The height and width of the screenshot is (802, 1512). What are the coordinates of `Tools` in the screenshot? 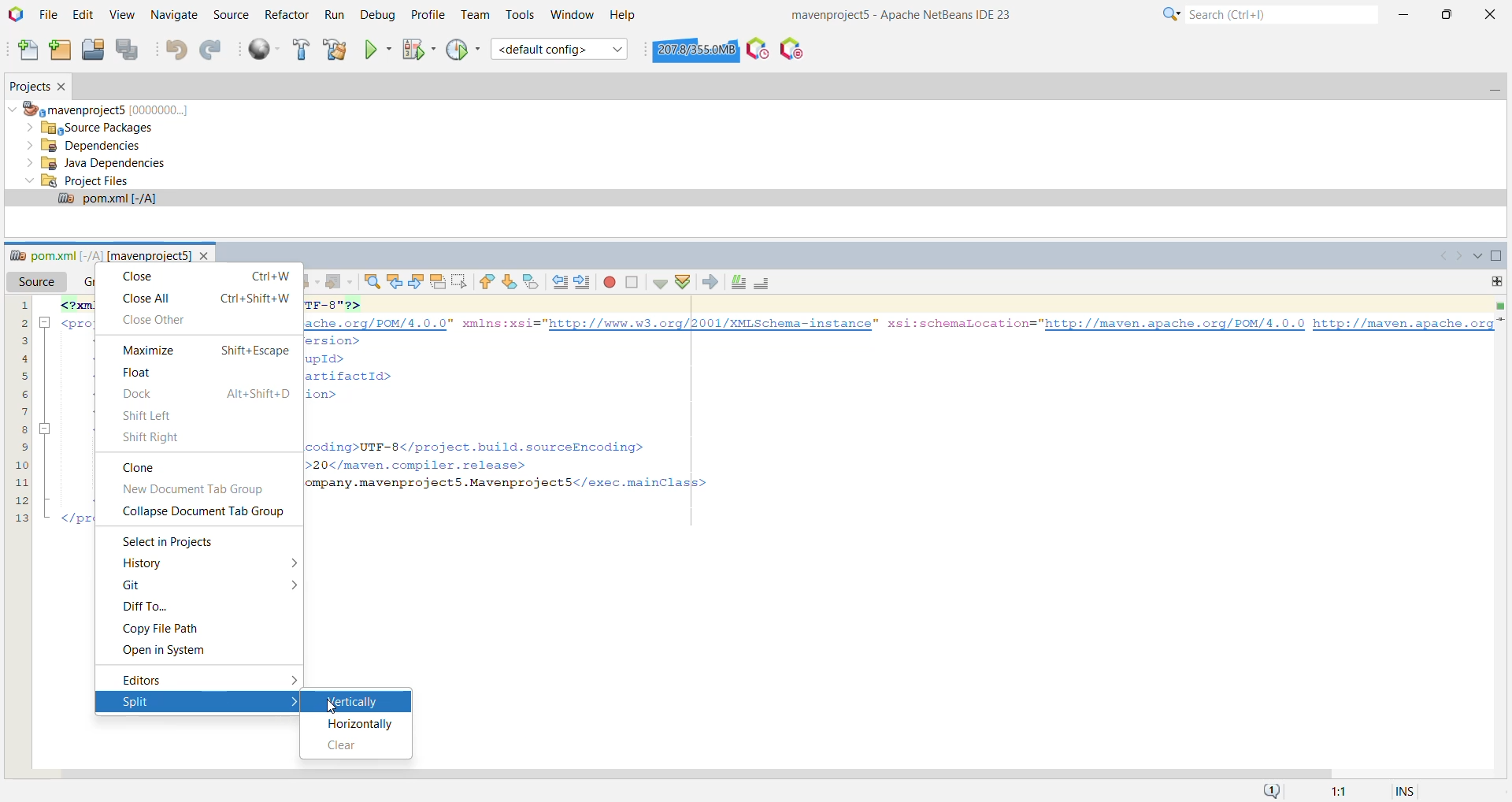 It's located at (521, 15).